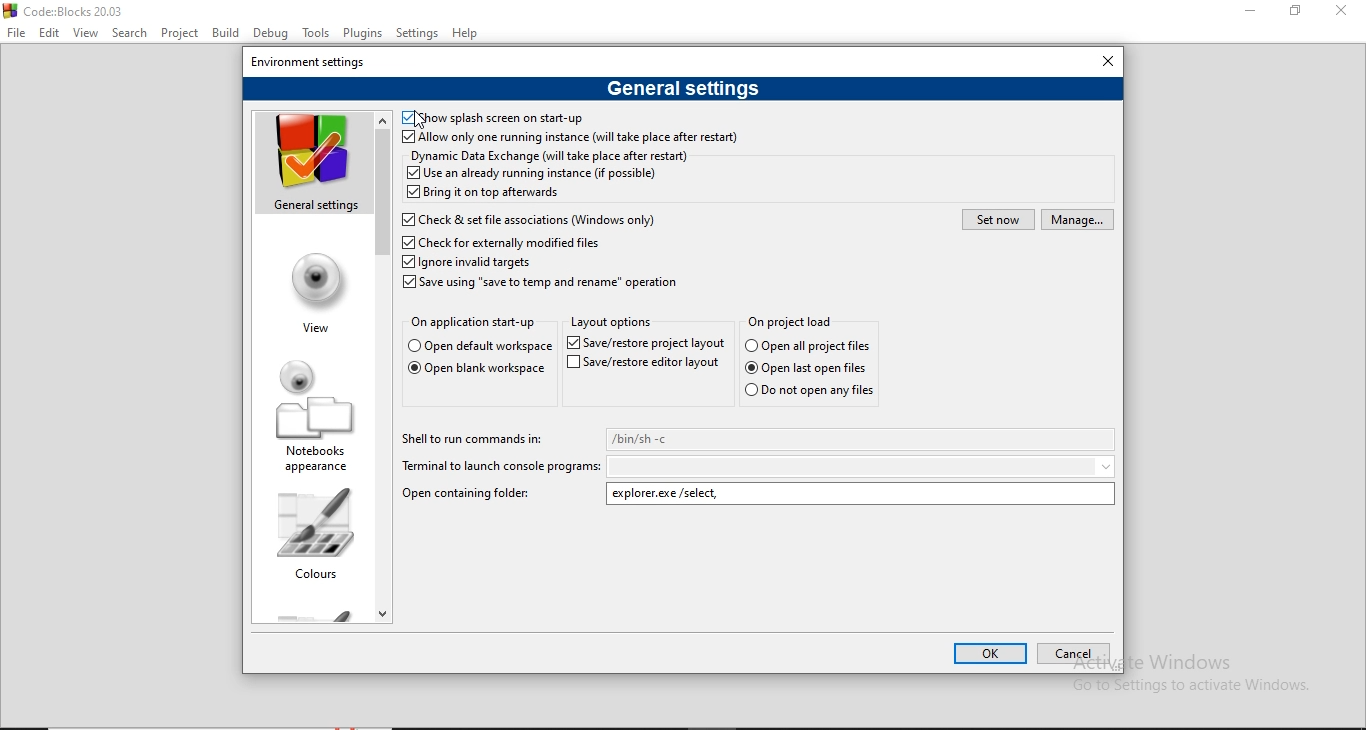 This screenshot has height=730, width=1366. Describe the element at coordinates (646, 342) in the screenshot. I see `Save/restore editor layout` at that location.